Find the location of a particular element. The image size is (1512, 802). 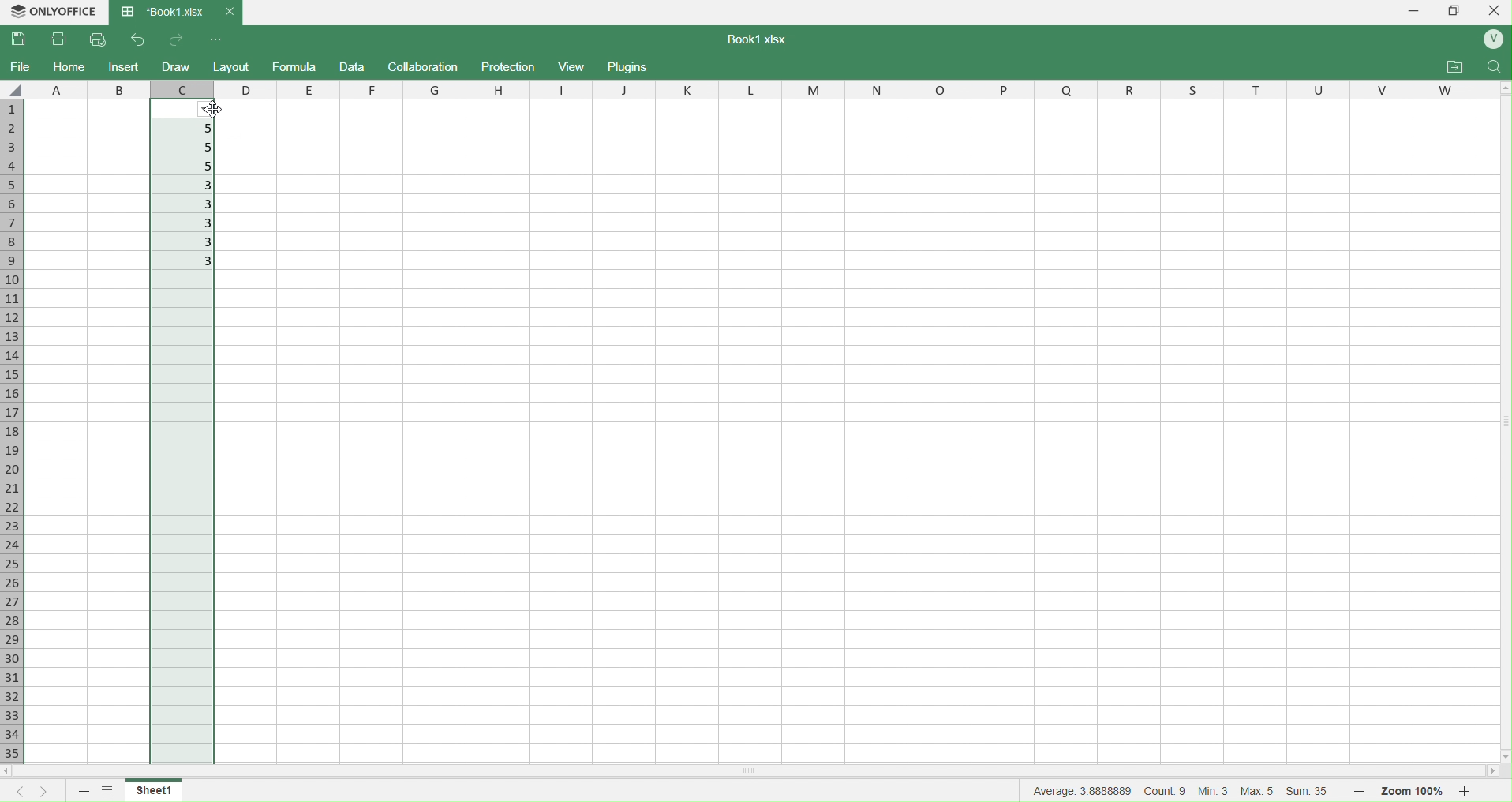

Draw is located at coordinates (175, 66).